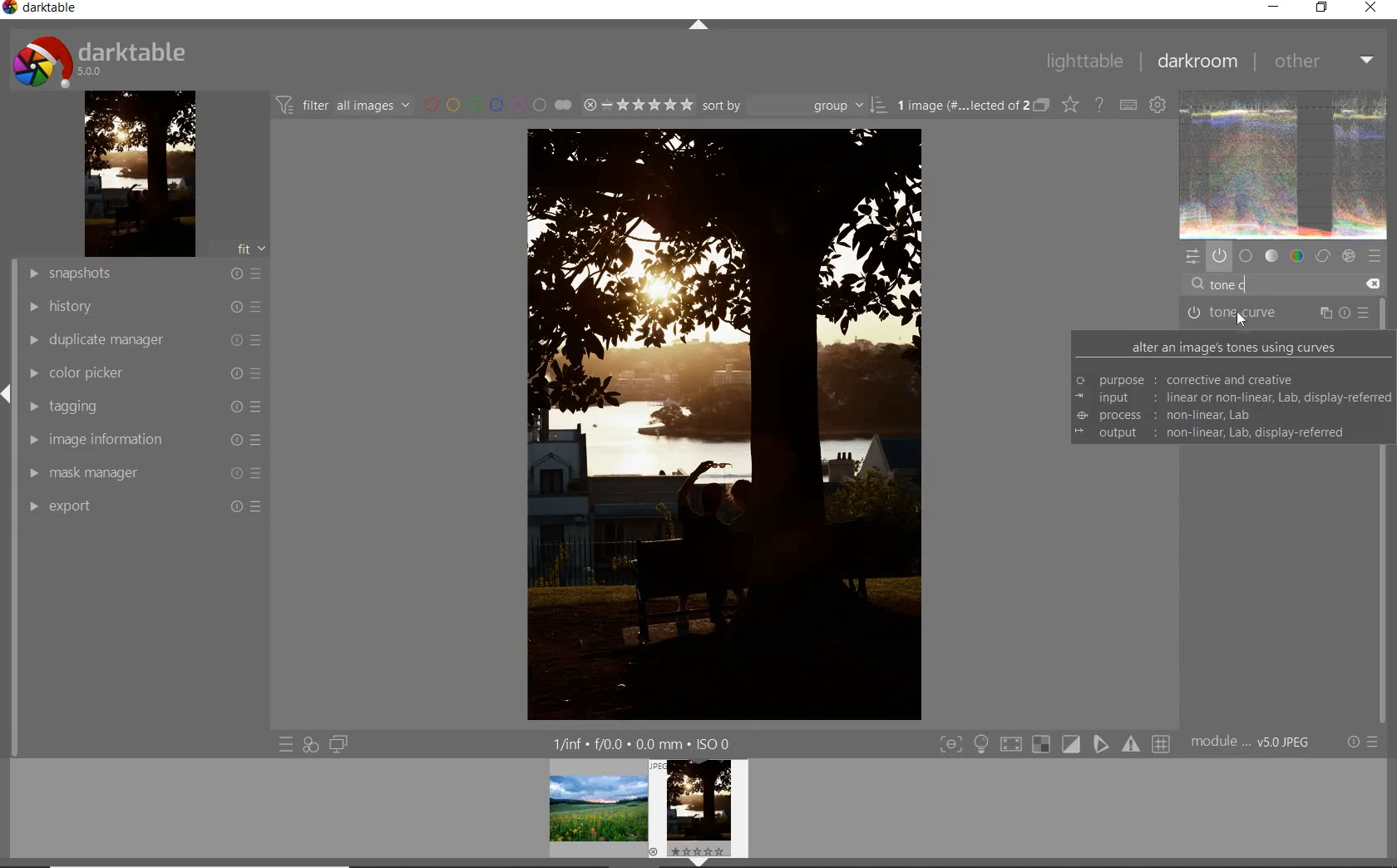 The width and height of the screenshot is (1397, 868). What do you see at coordinates (638, 106) in the screenshot?
I see `selected Image range rating` at bounding box center [638, 106].